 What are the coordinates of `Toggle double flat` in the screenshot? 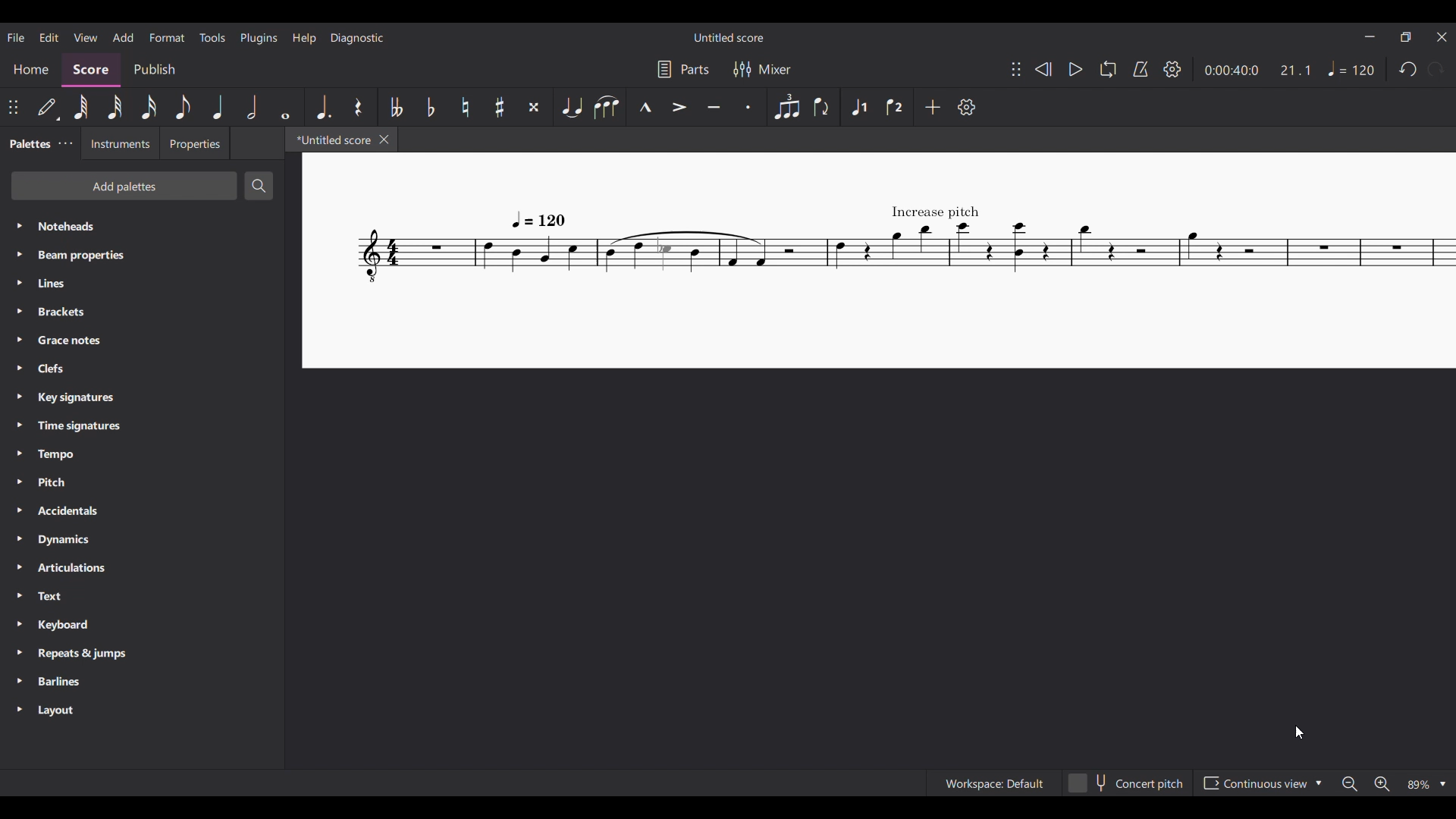 It's located at (394, 107).